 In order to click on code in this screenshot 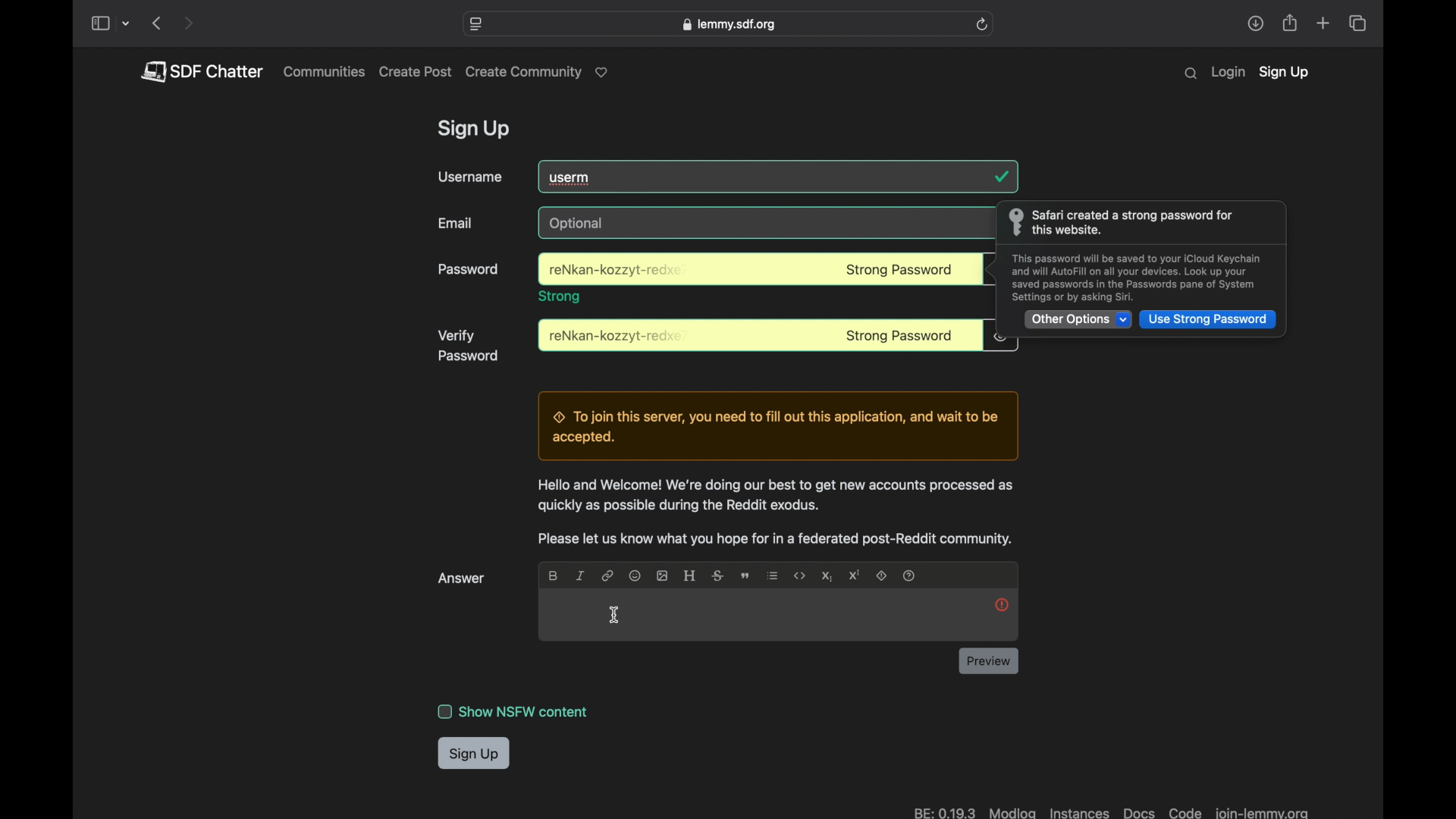, I will do `click(1185, 811)`.